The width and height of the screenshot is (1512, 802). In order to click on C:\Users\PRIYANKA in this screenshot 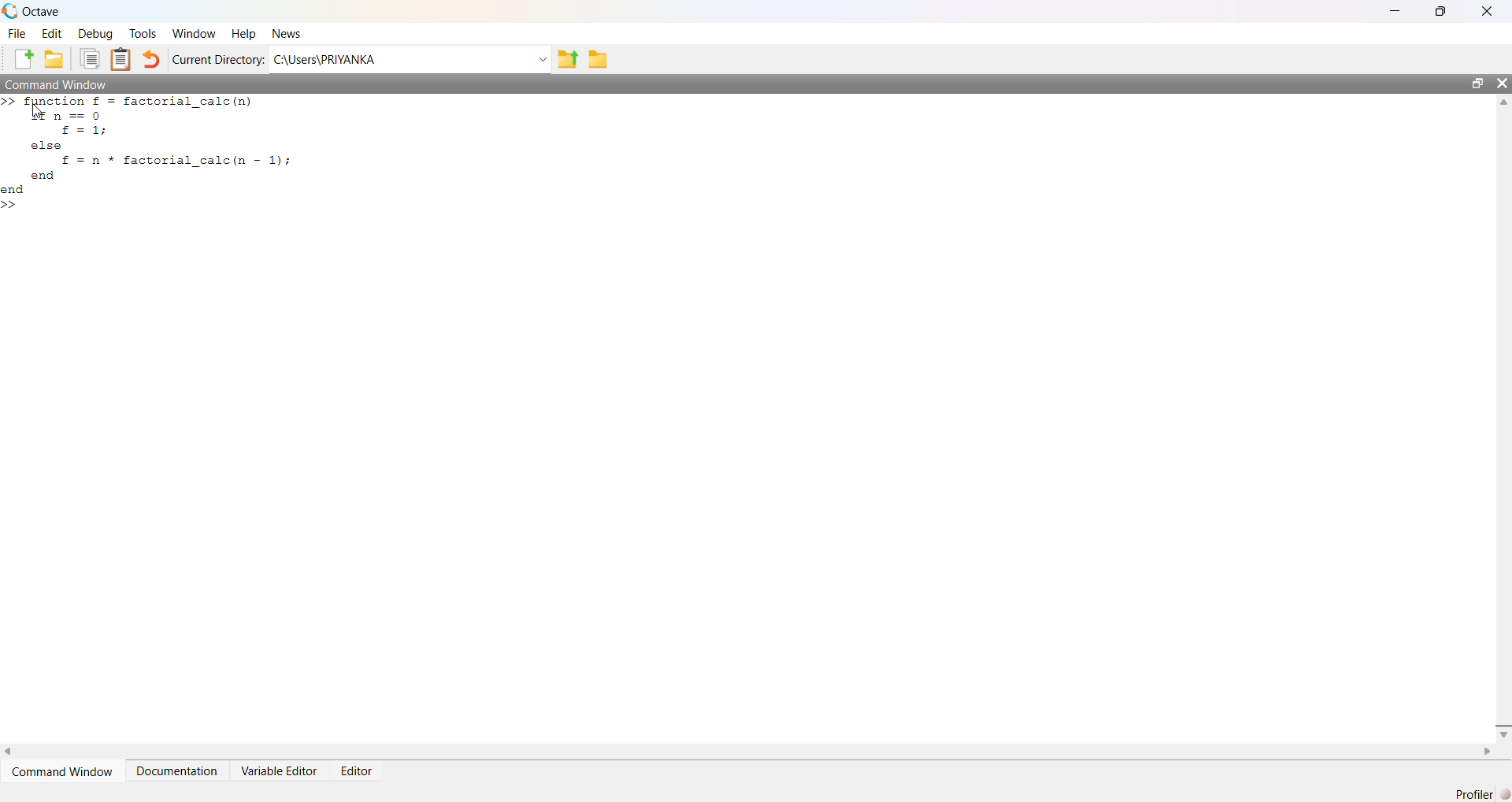, I will do `click(326, 60)`.